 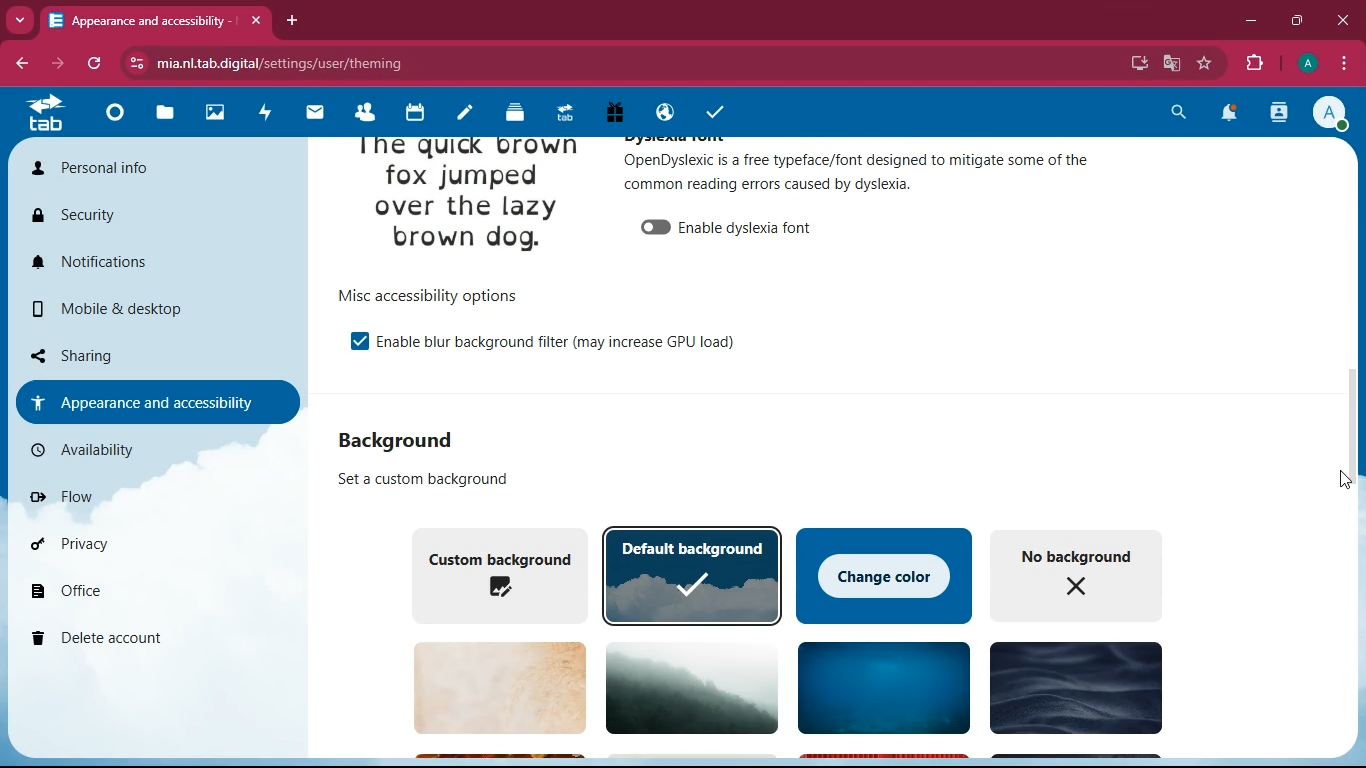 What do you see at coordinates (1300, 19) in the screenshot?
I see `maximize` at bounding box center [1300, 19].